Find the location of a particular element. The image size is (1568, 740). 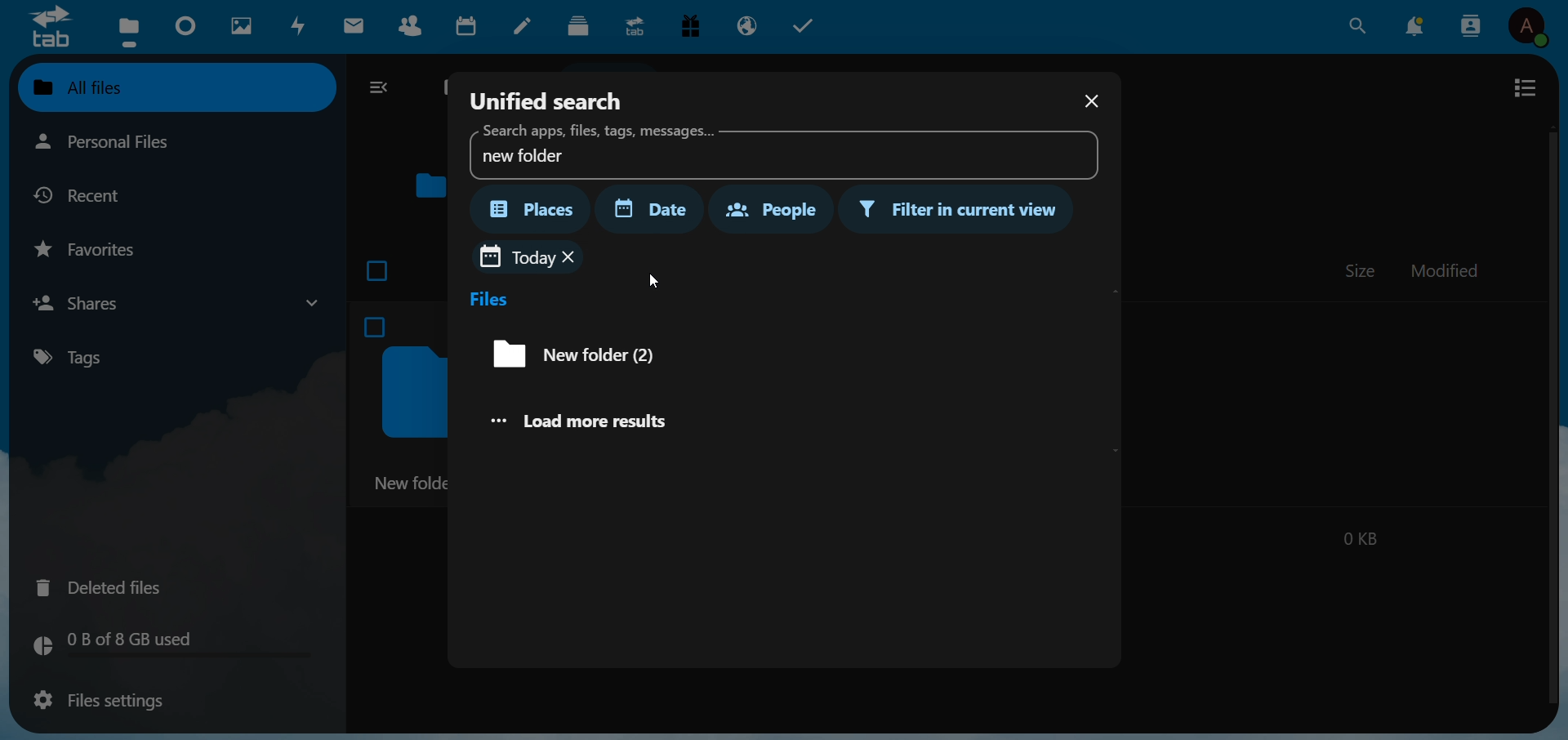

checkbox is located at coordinates (379, 267).